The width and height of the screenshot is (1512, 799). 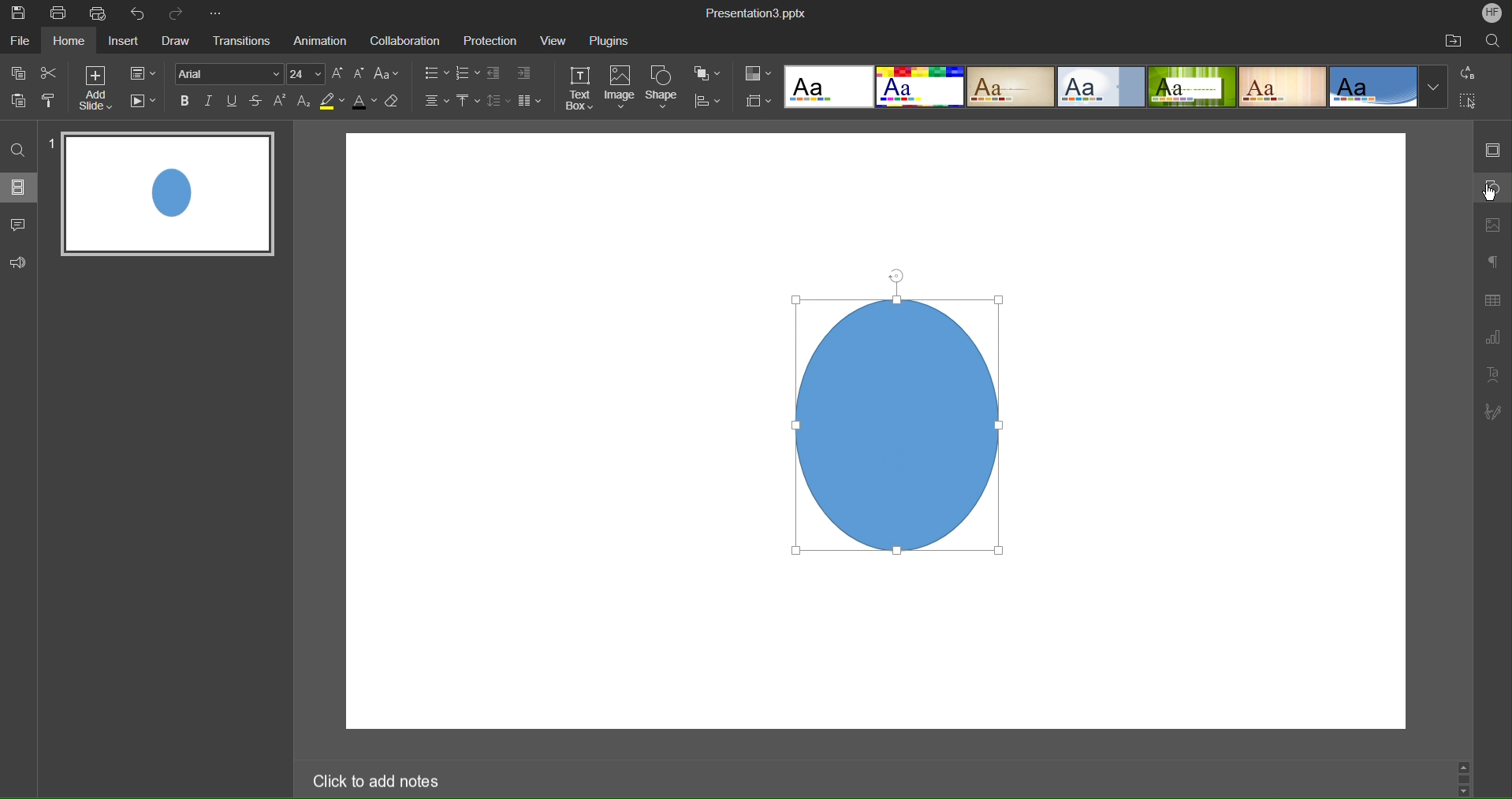 I want to click on Image, so click(x=892, y=413).